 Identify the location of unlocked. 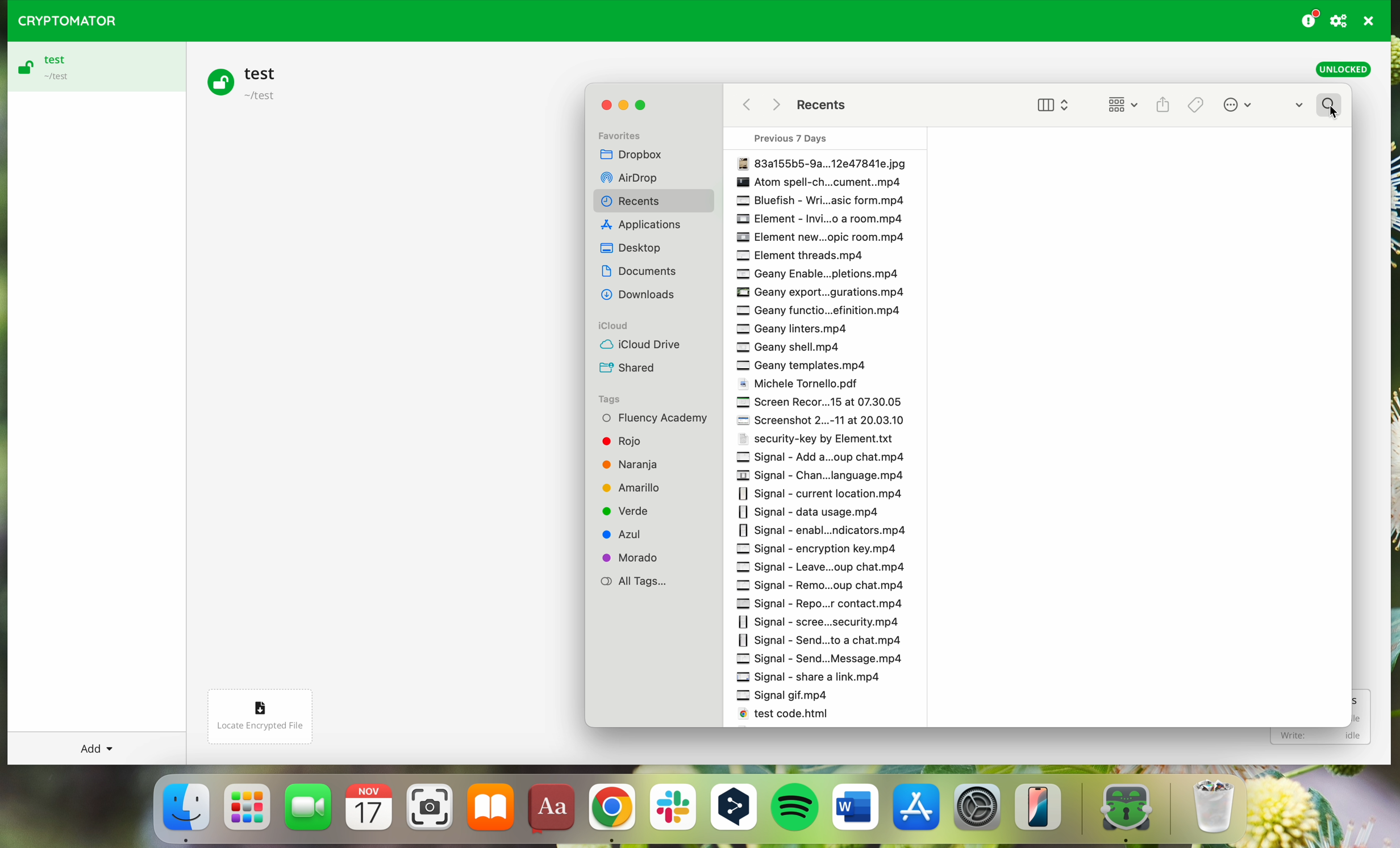
(1343, 70).